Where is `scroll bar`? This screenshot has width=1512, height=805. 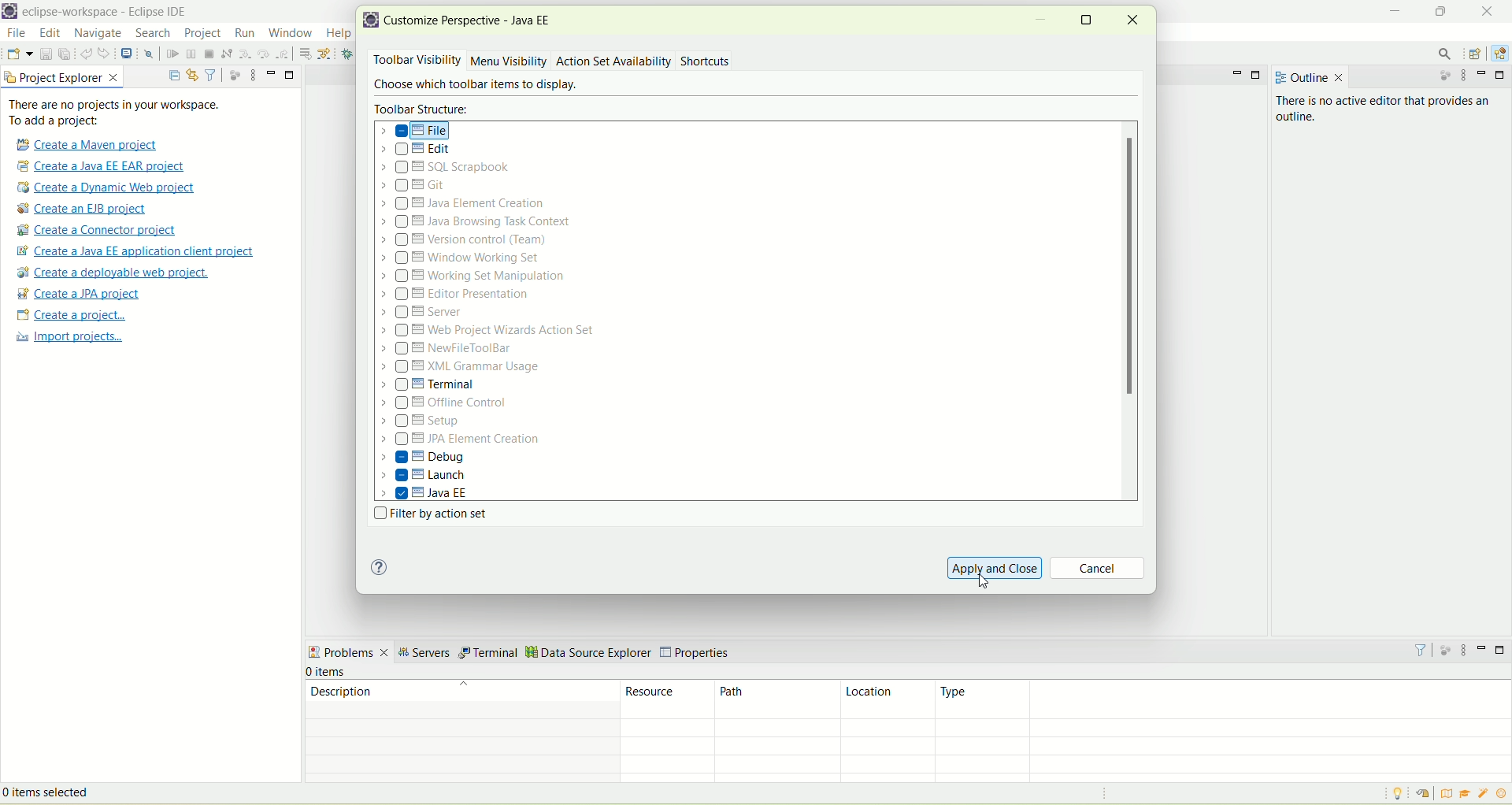
scroll bar is located at coordinates (1132, 311).